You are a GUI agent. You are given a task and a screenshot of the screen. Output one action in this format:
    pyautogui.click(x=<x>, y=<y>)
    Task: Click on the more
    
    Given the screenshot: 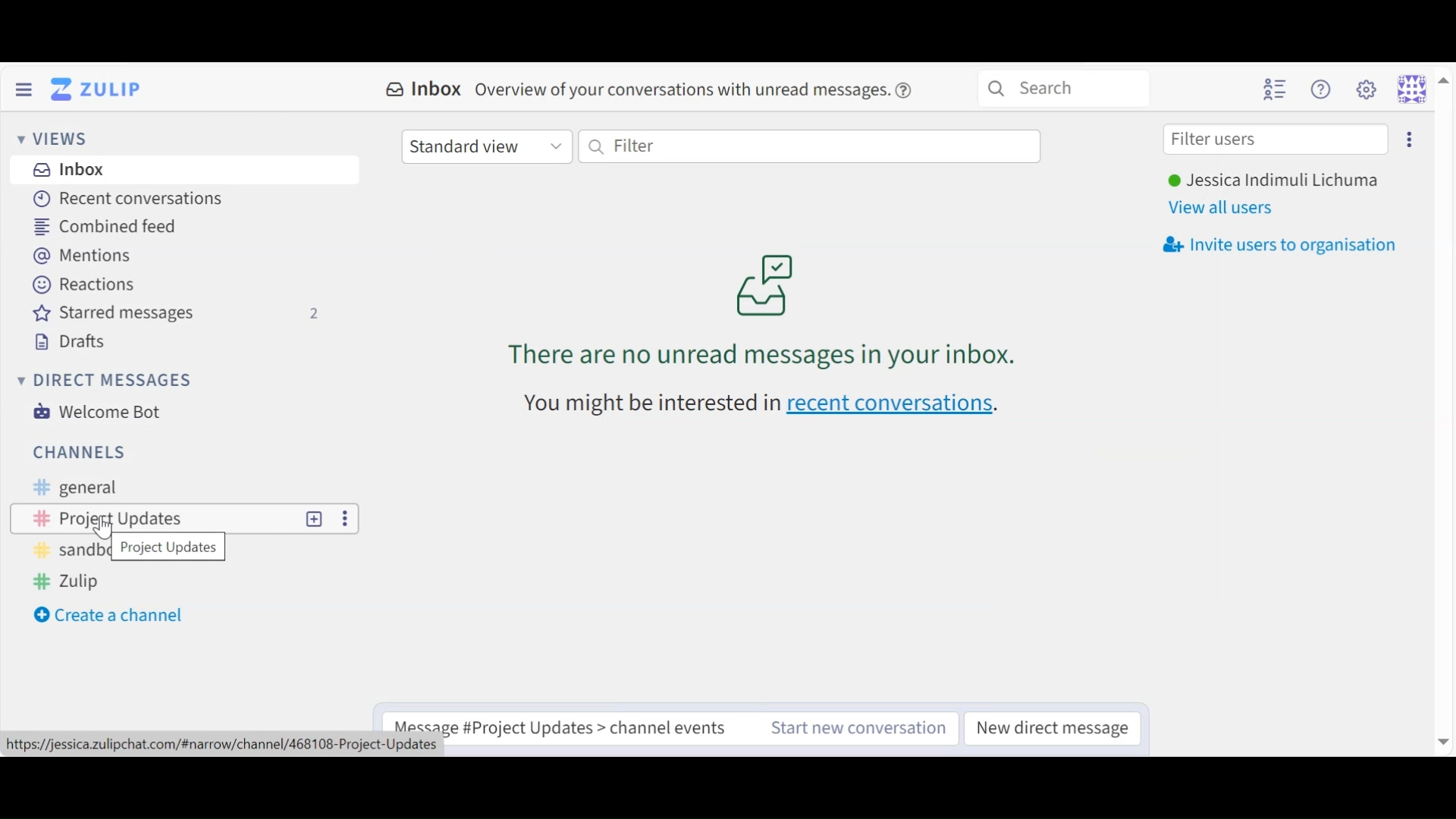 What is the action you would take?
    pyautogui.click(x=343, y=517)
    